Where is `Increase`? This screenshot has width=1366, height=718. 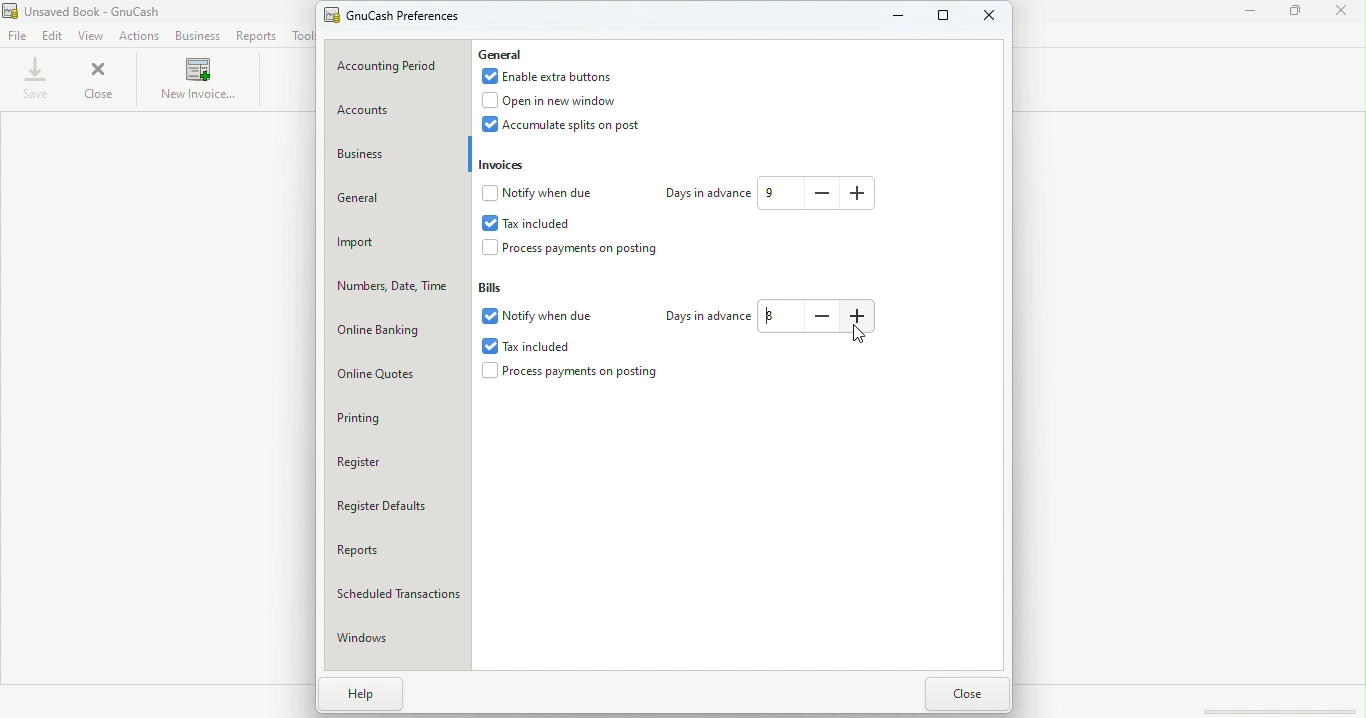
Increase is located at coordinates (858, 192).